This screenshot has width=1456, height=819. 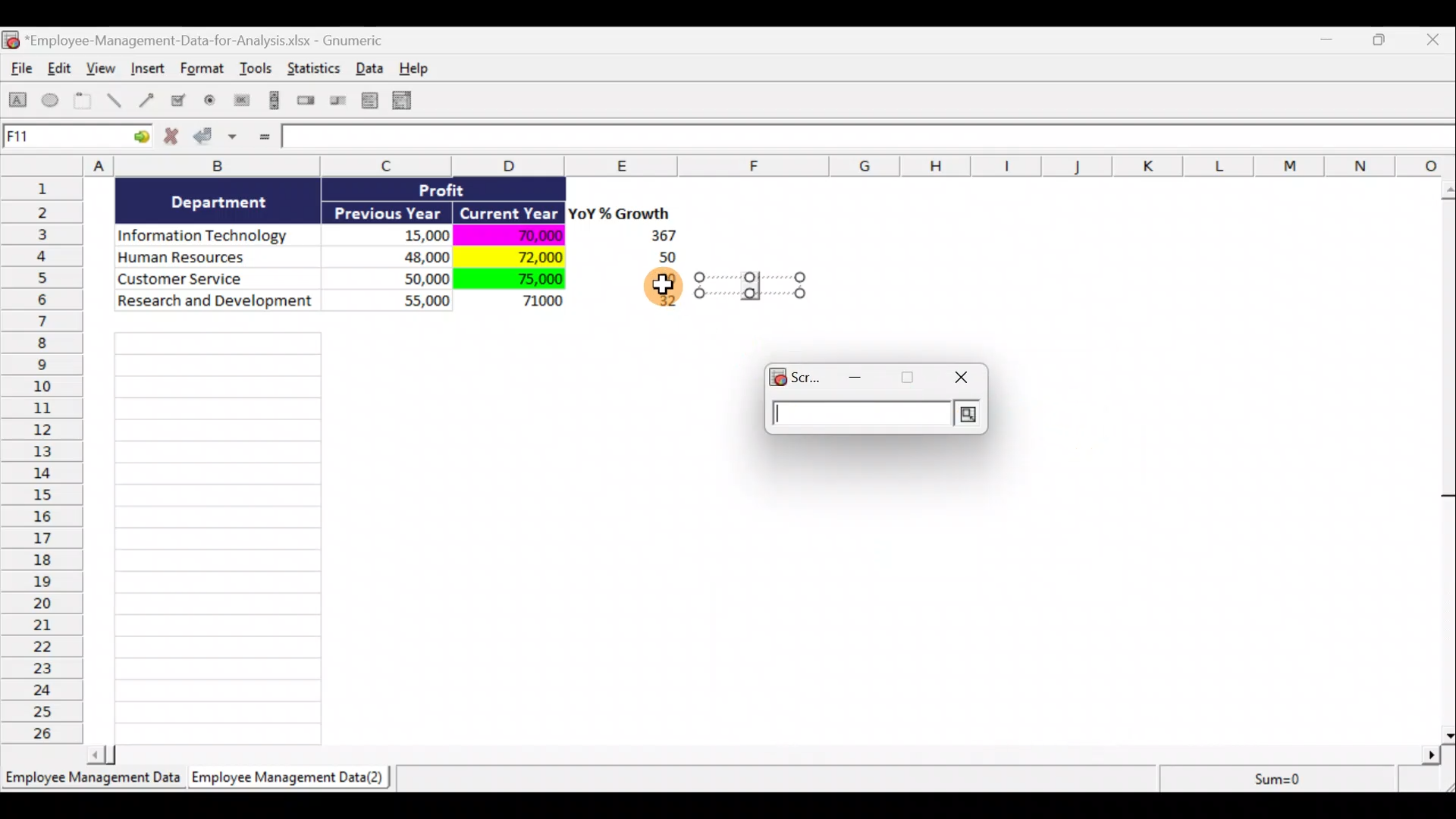 What do you see at coordinates (870, 140) in the screenshot?
I see `Formula bar` at bounding box center [870, 140].